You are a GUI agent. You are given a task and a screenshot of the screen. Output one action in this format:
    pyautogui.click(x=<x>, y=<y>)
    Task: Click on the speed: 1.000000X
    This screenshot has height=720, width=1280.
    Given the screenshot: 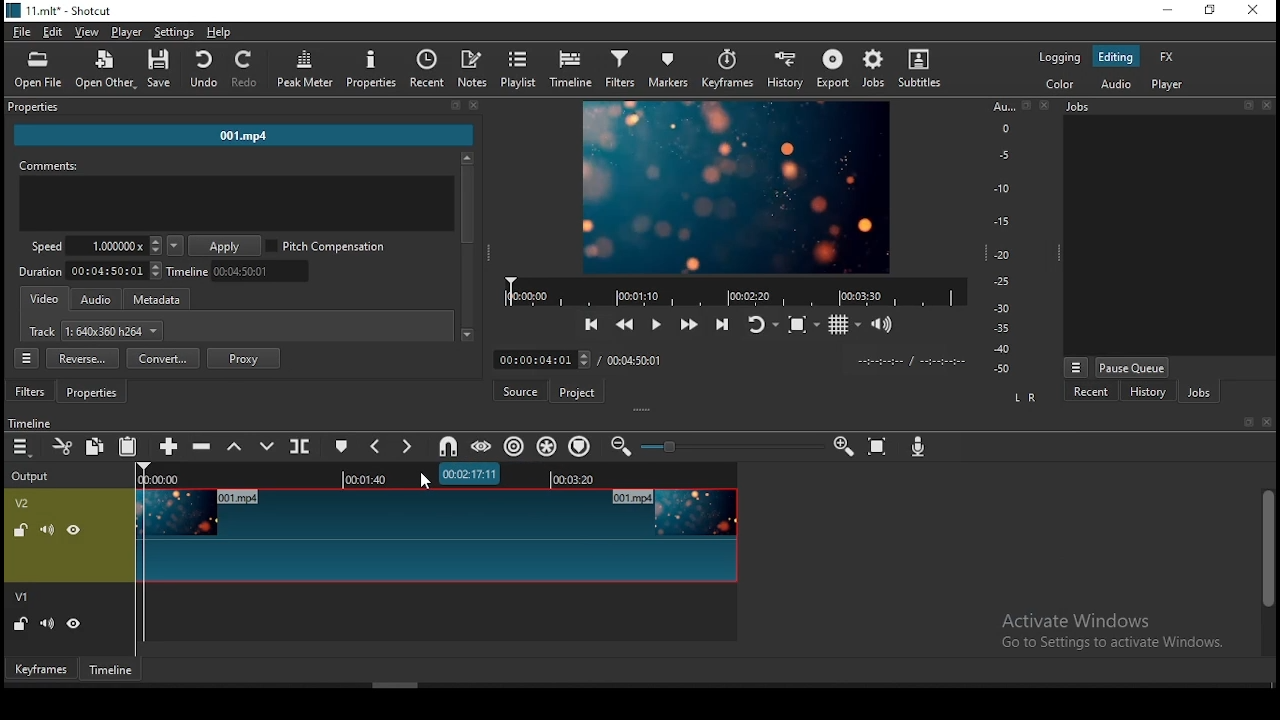 What is the action you would take?
    pyautogui.click(x=90, y=246)
    